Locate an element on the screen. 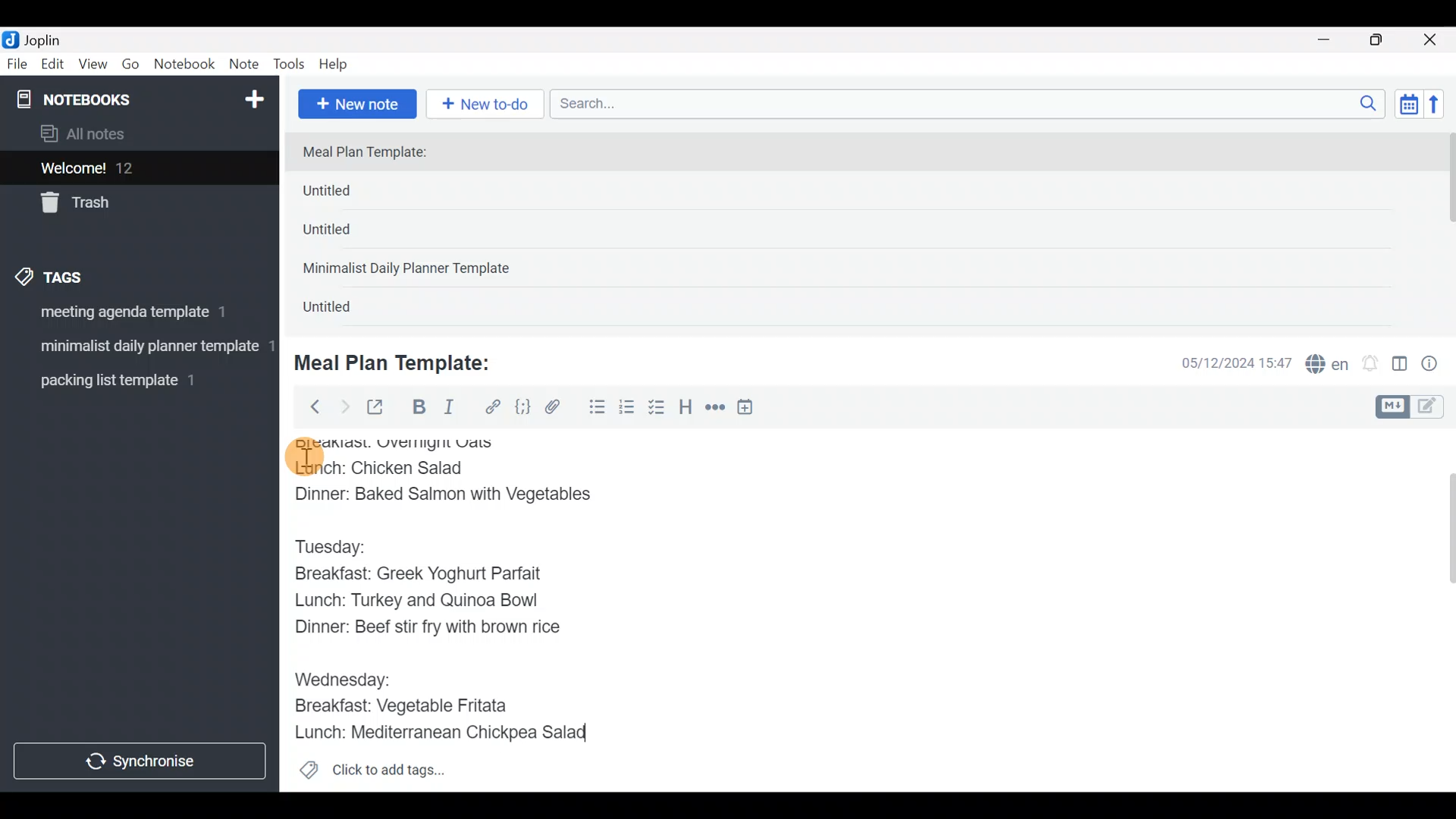 The height and width of the screenshot is (819, 1456). Help is located at coordinates (339, 61).